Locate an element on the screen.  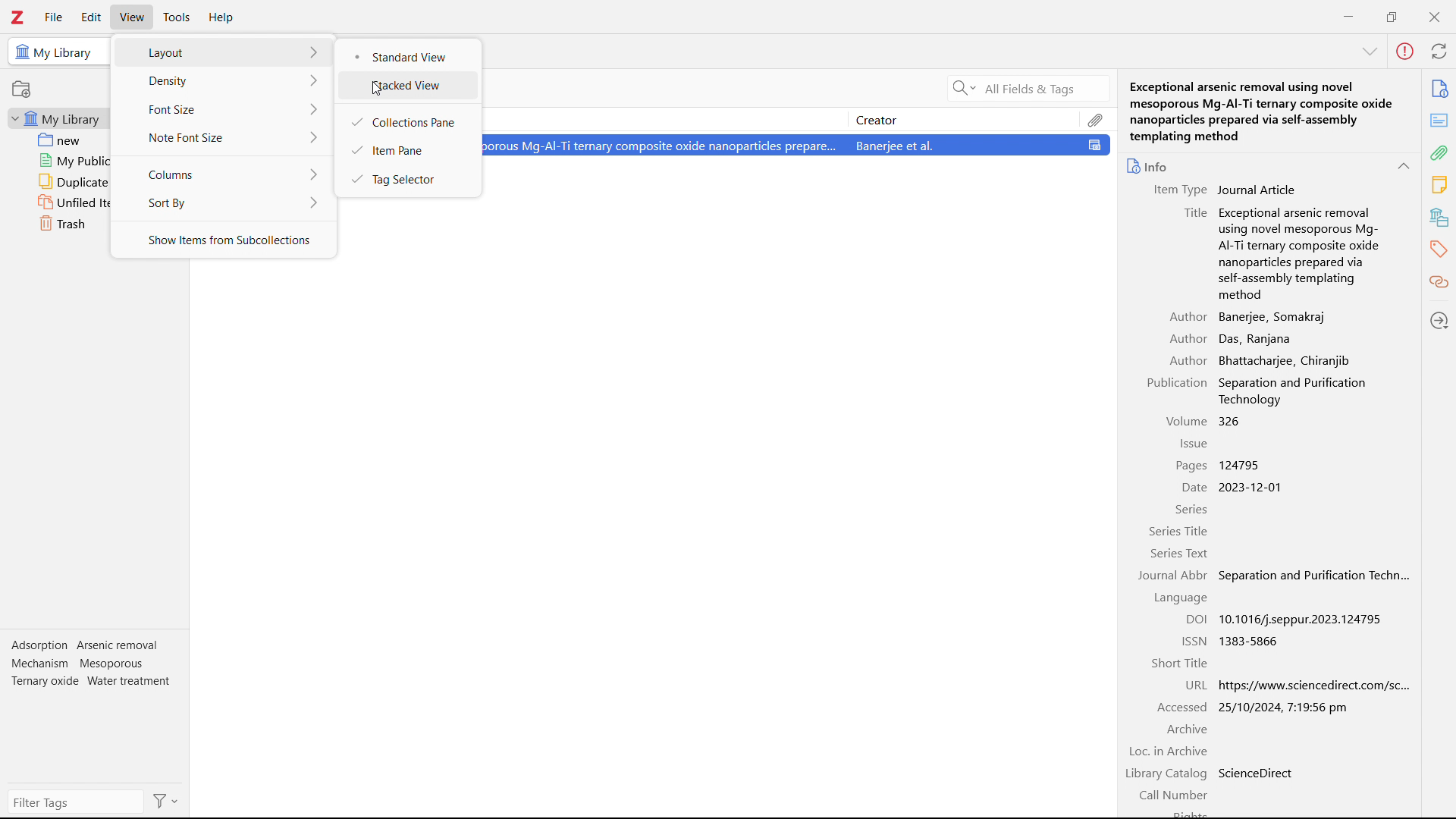
close is located at coordinates (1433, 16).